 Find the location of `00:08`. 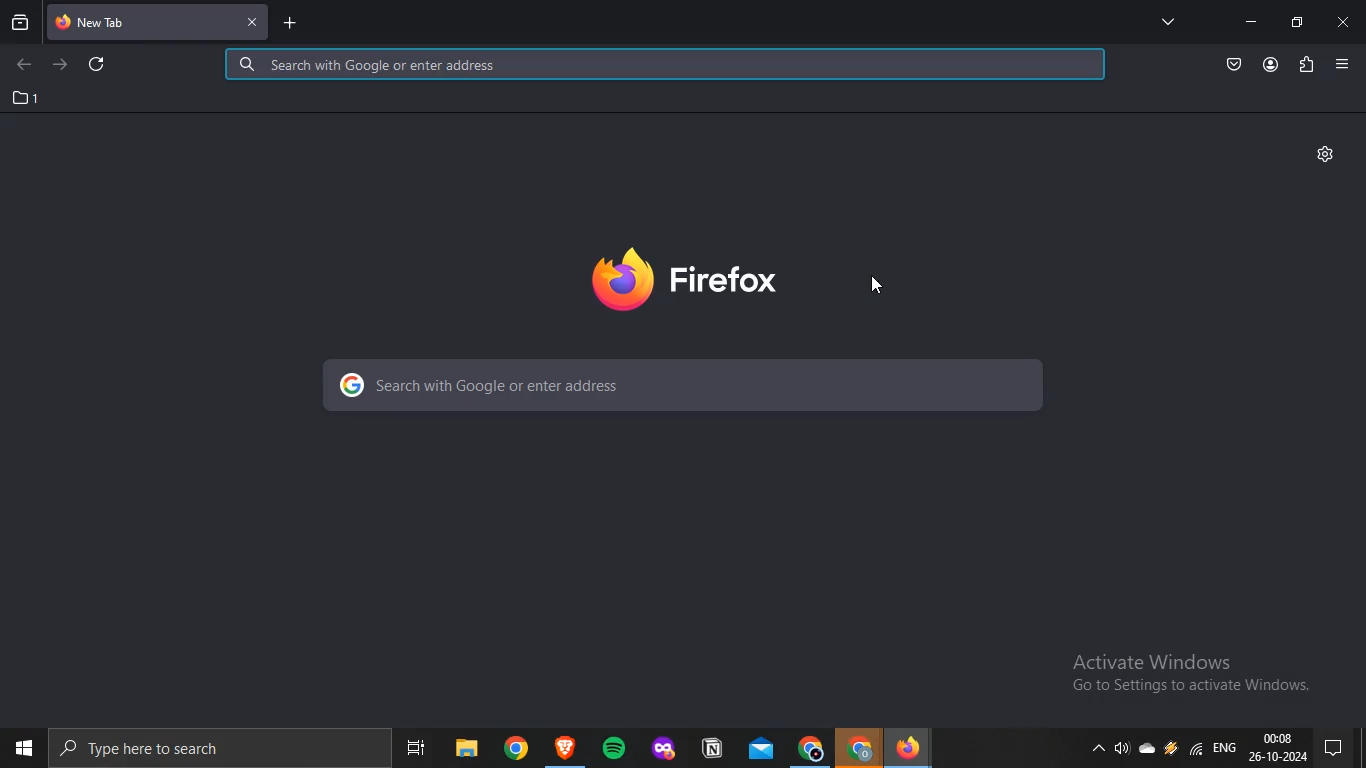

00:08 is located at coordinates (1277, 738).